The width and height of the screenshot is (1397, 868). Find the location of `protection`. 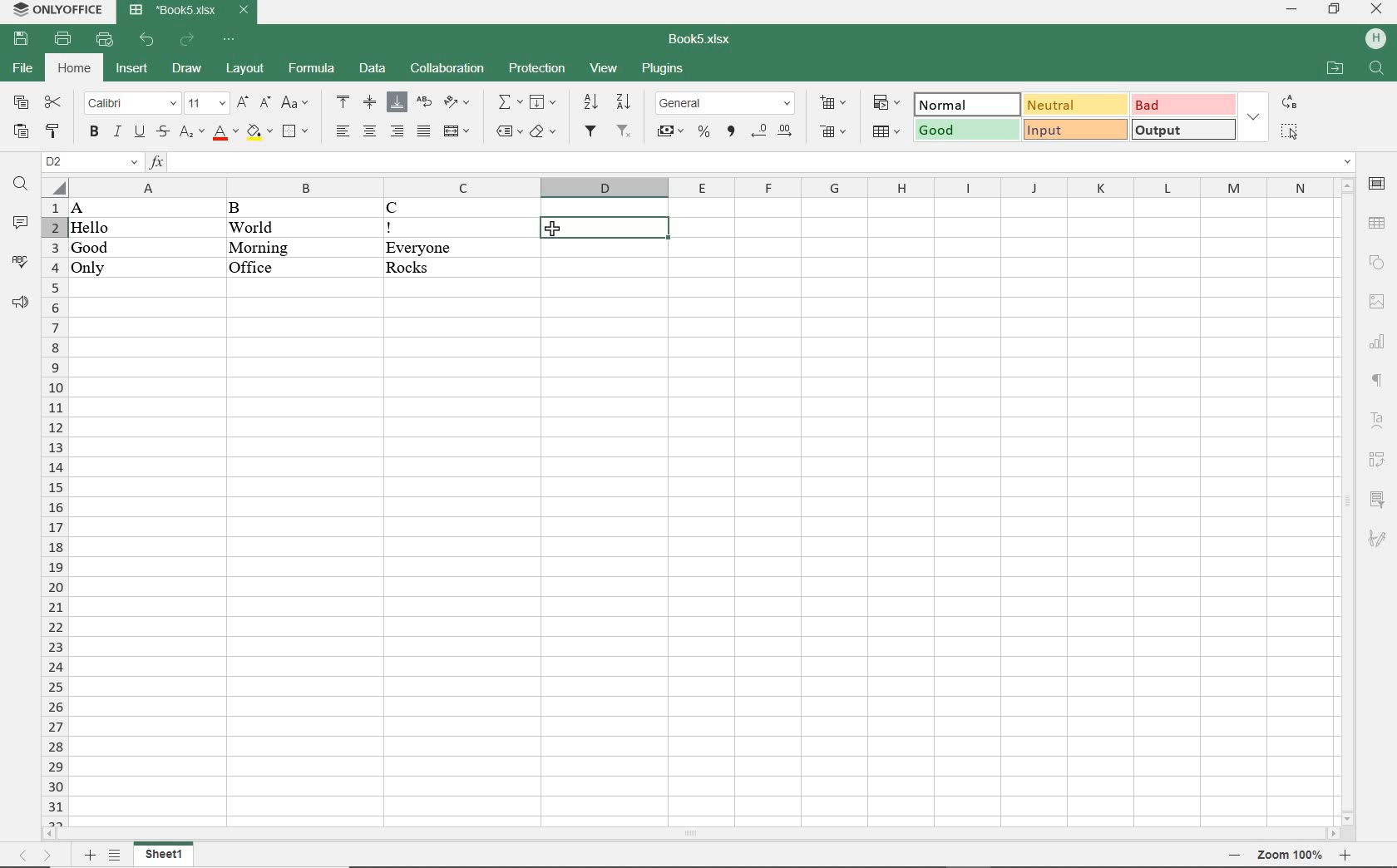

protection is located at coordinates (539, 70).